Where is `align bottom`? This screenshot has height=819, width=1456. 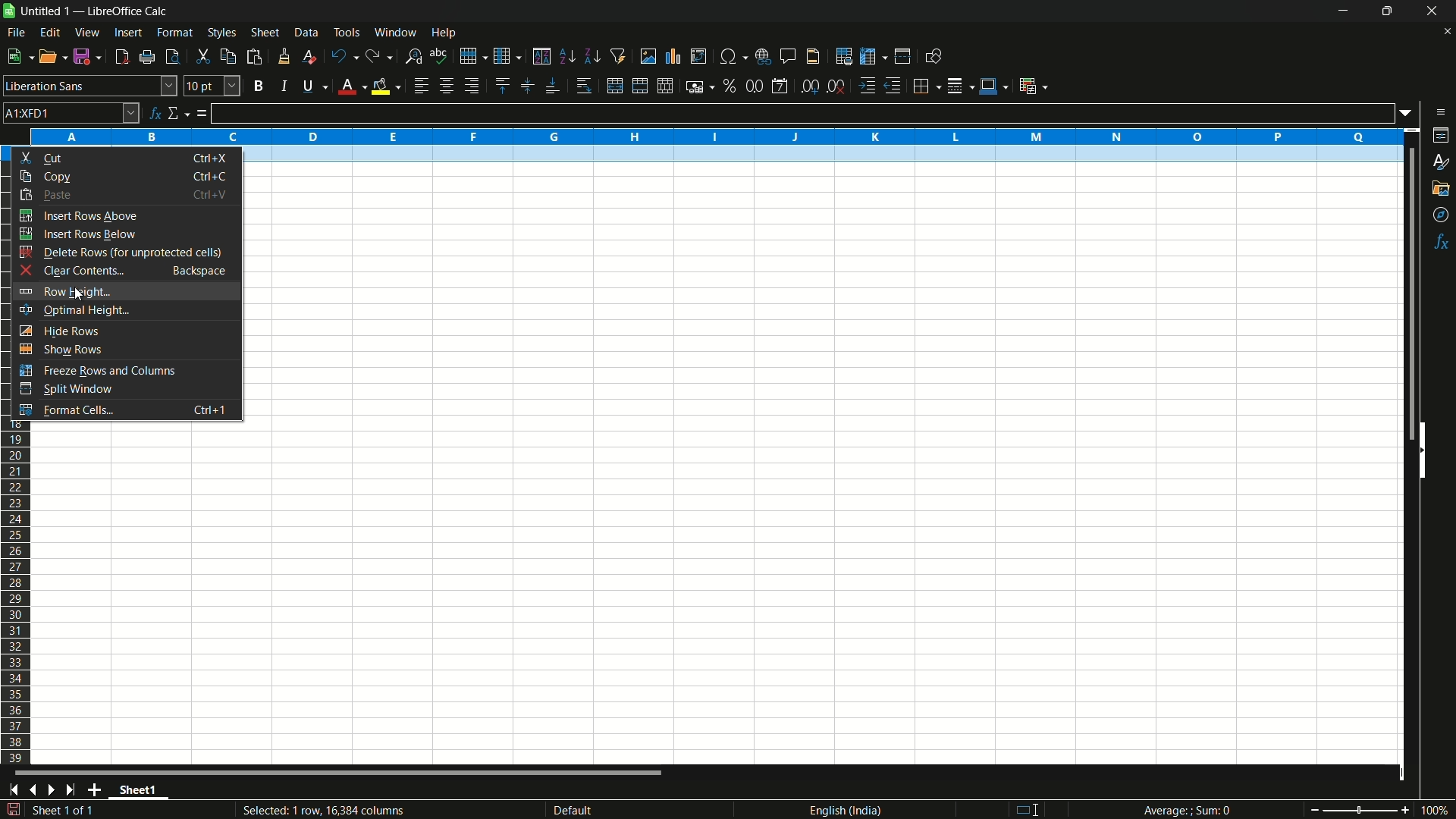 align bottom is located at coordinates (553, 87).